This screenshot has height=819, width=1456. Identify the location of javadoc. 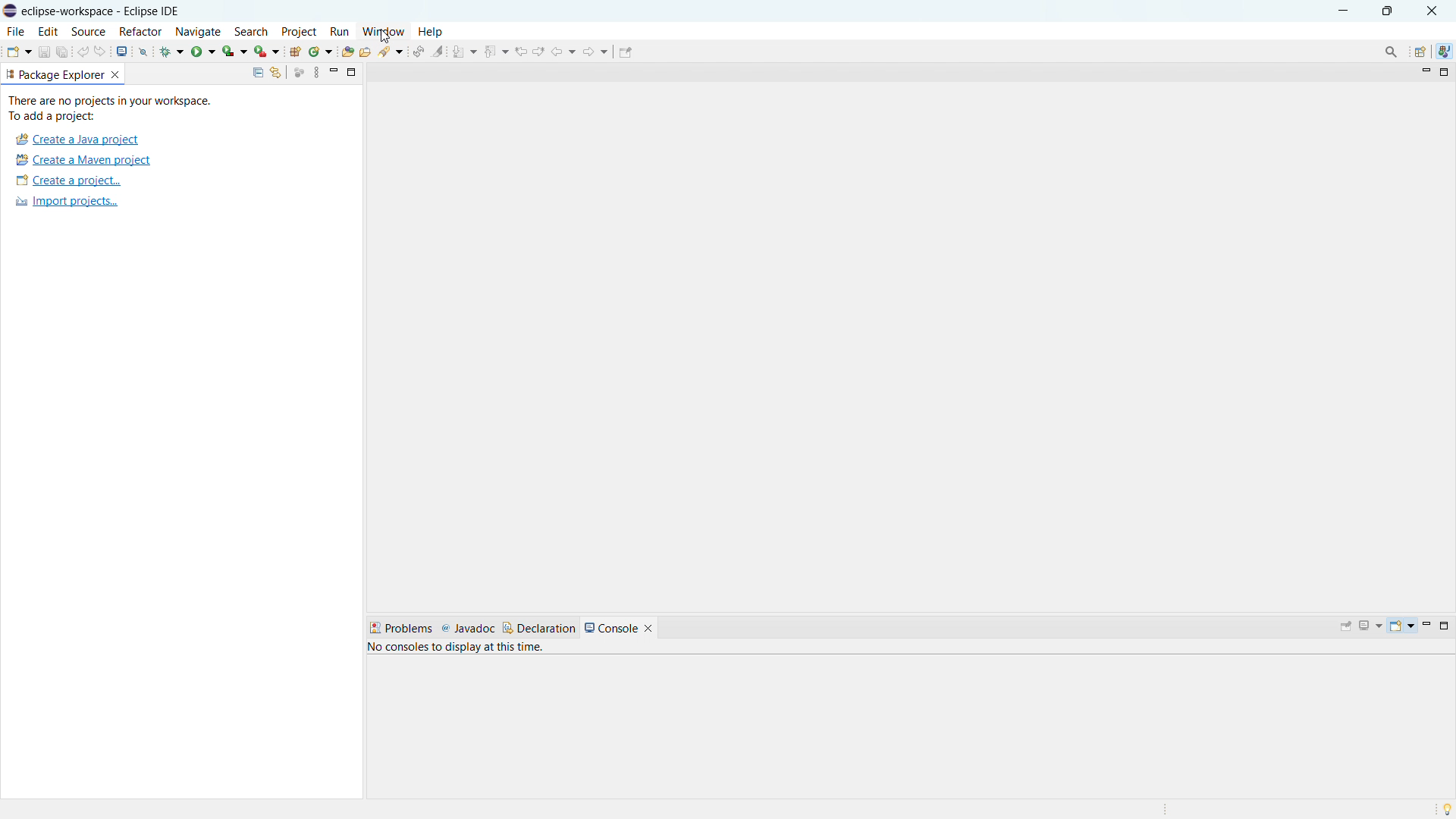
(468, 628).